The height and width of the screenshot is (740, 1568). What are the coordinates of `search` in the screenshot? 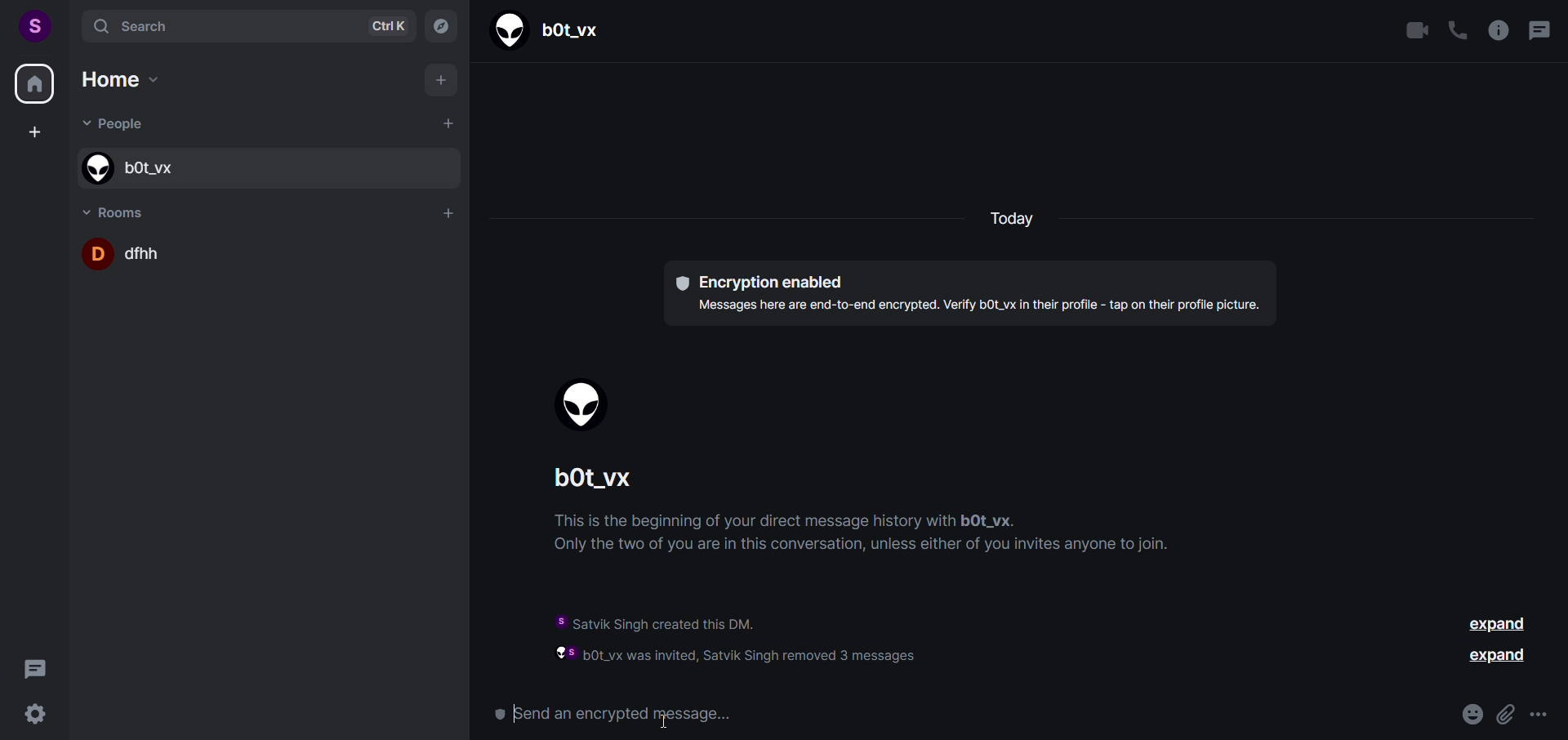 It's located at (241, 25).